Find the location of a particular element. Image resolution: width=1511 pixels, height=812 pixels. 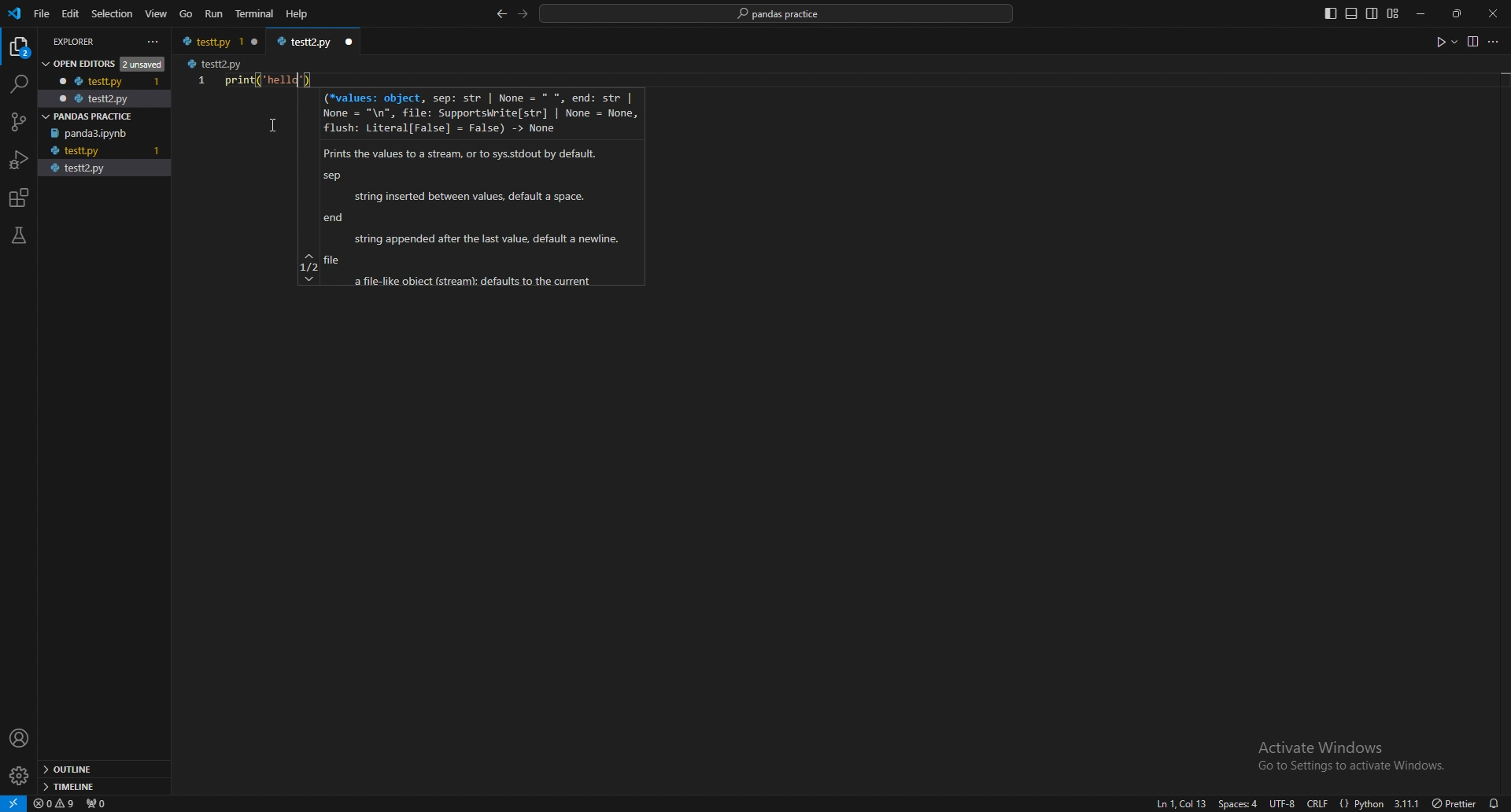

profile is located at coordinates (20, 739).